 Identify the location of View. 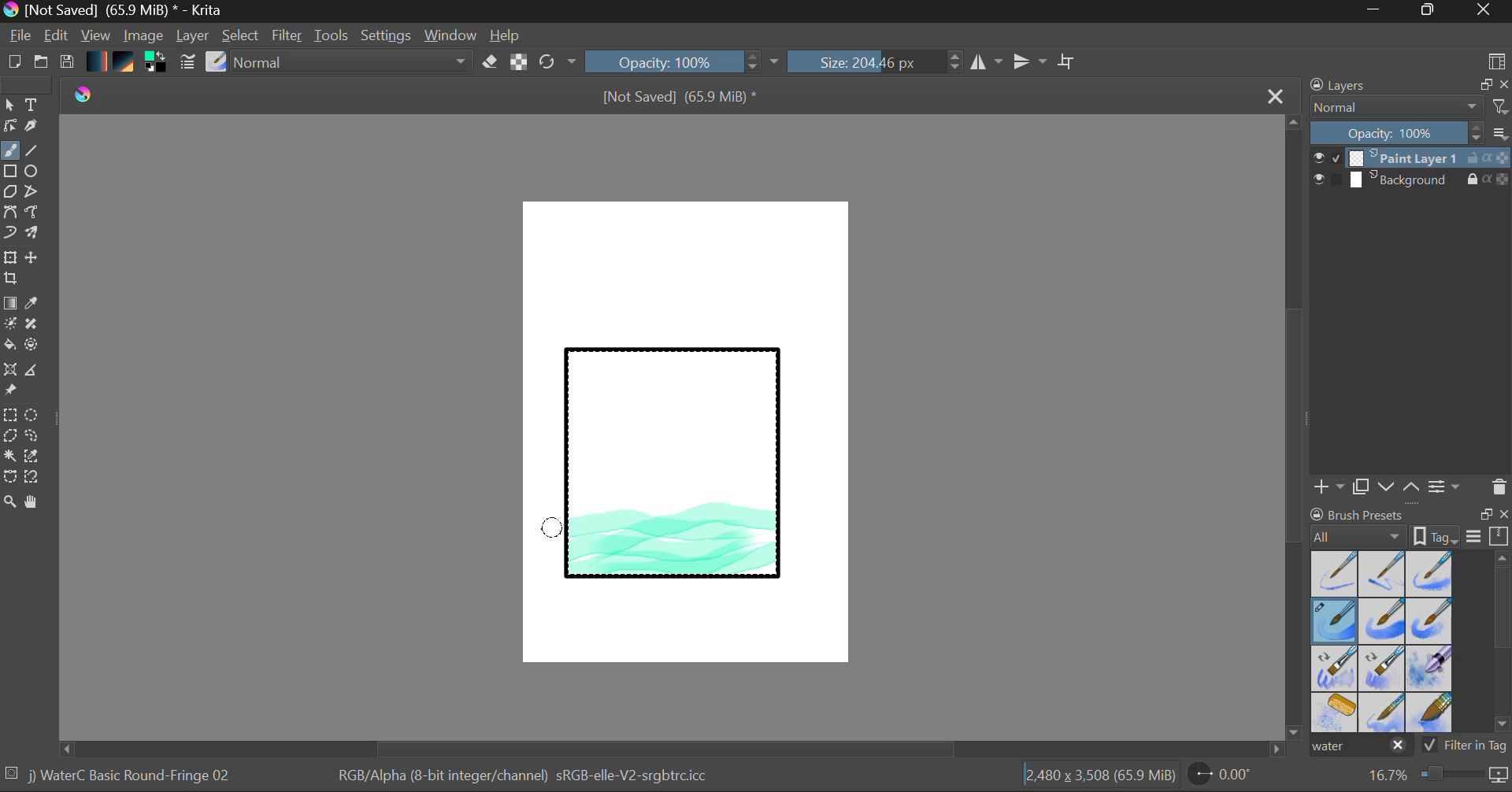
(96, 35).